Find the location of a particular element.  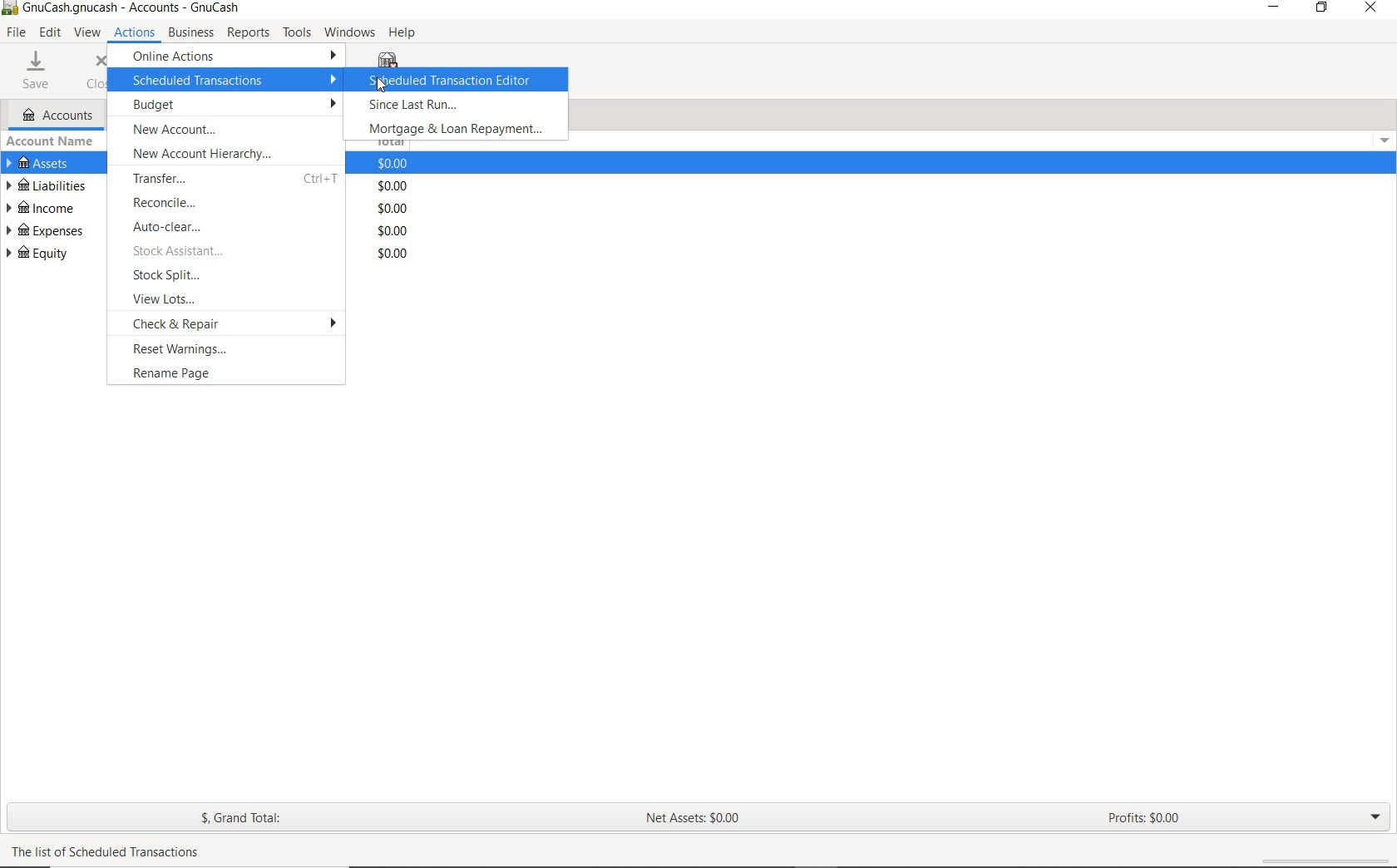

TOOLS is located at coordinates (297, 32).